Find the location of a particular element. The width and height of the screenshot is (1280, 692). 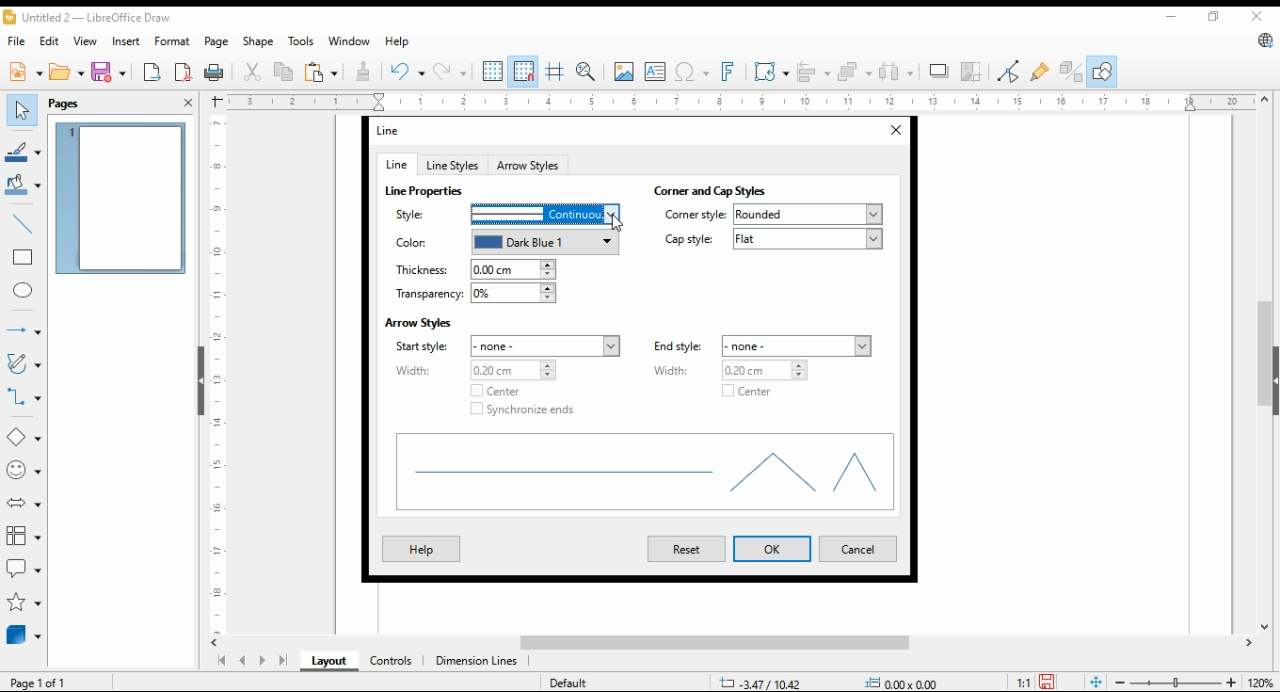

insert line is located at coordinates (24, 224).